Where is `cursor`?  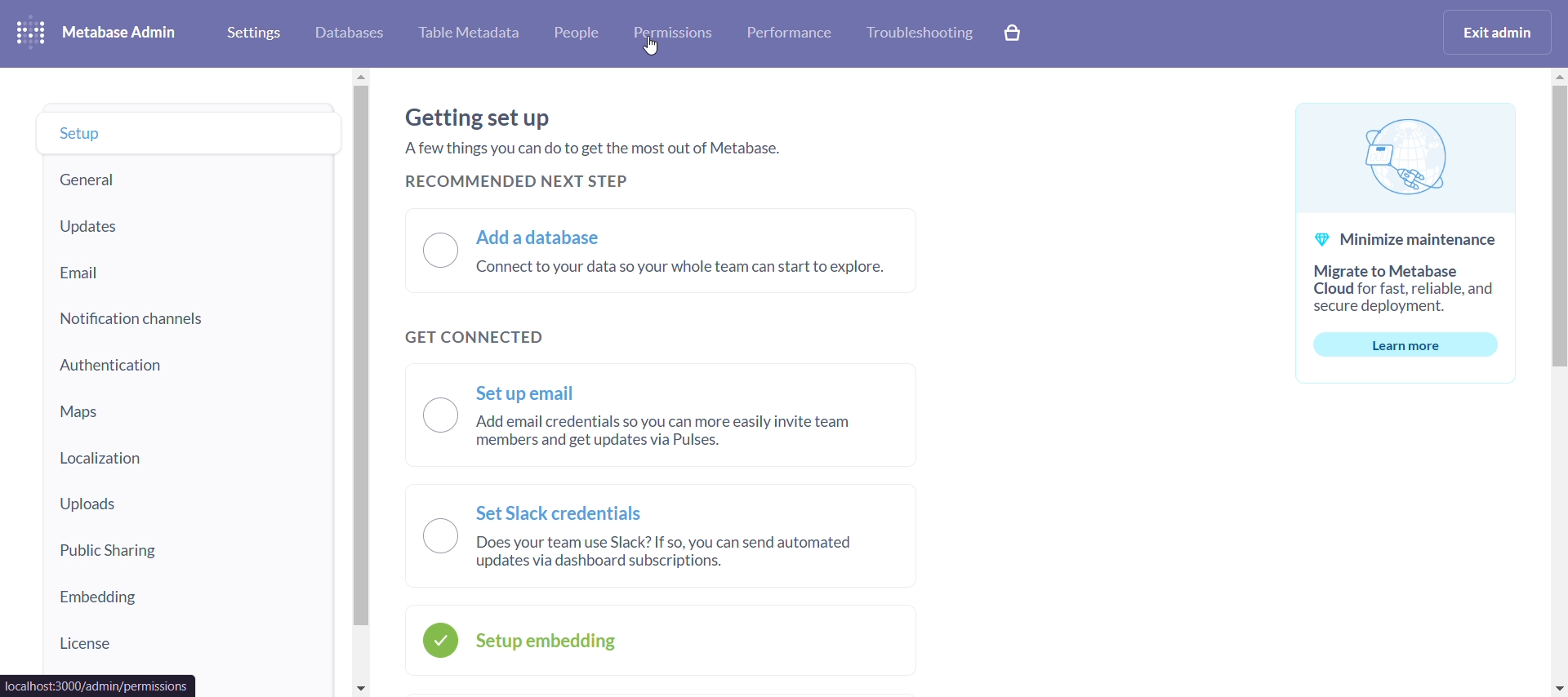 cursor is located at coordinates (648, 47).